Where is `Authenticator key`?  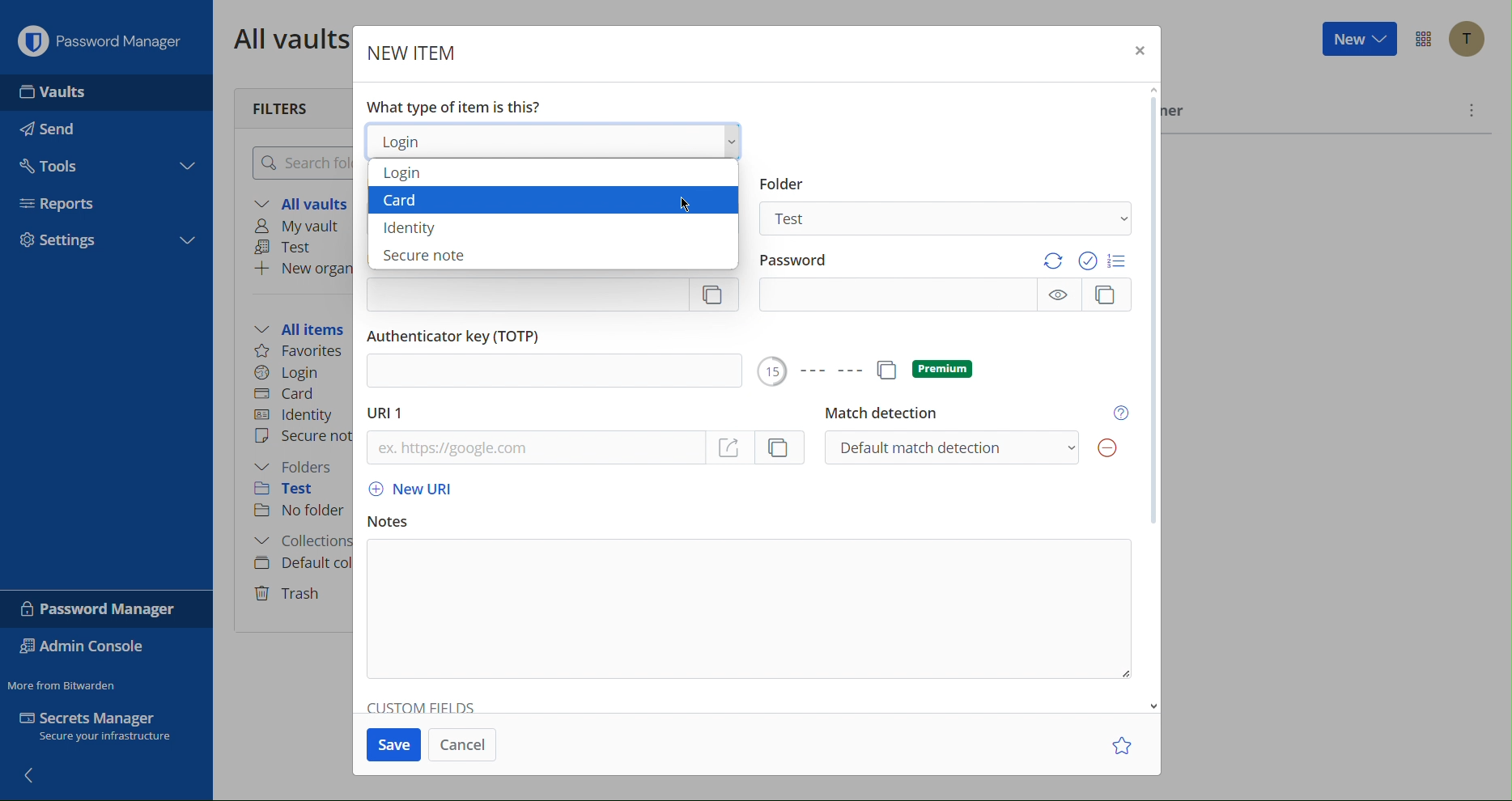
Authenticator key is located at coordinates (556, 356).